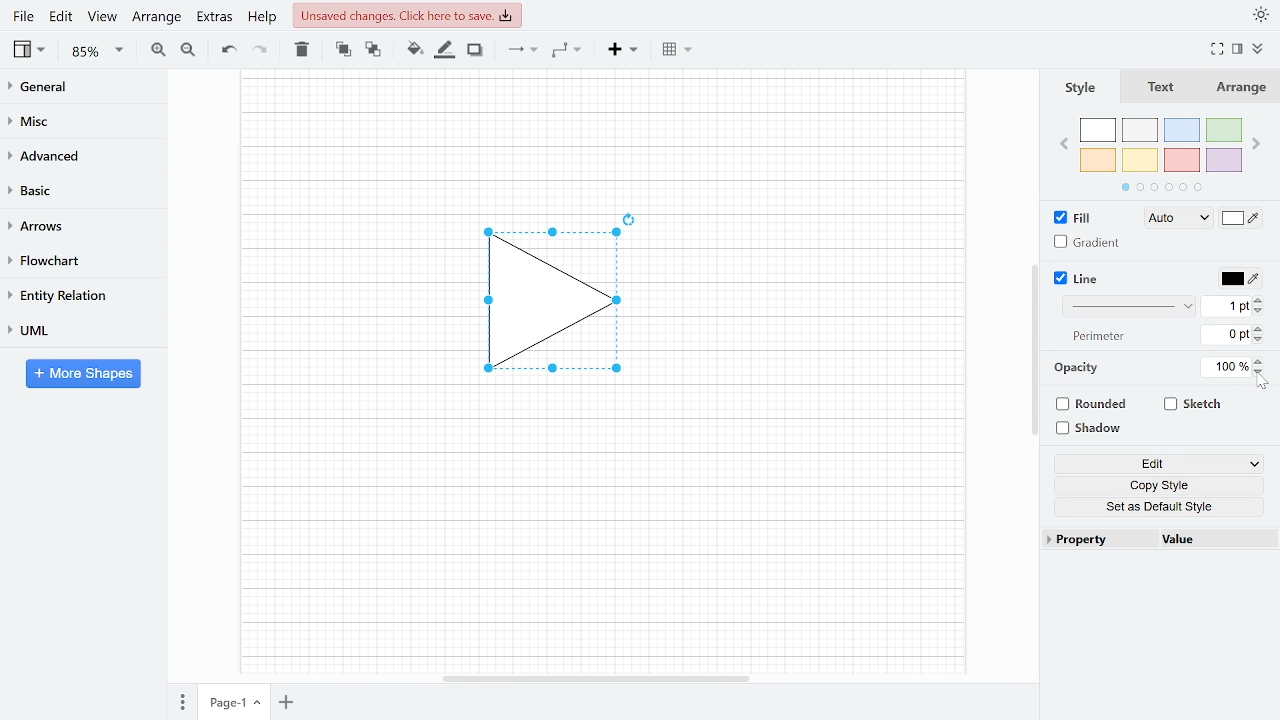 The image size is (1280, 720). I want to click on Value, so click(1213, 541).